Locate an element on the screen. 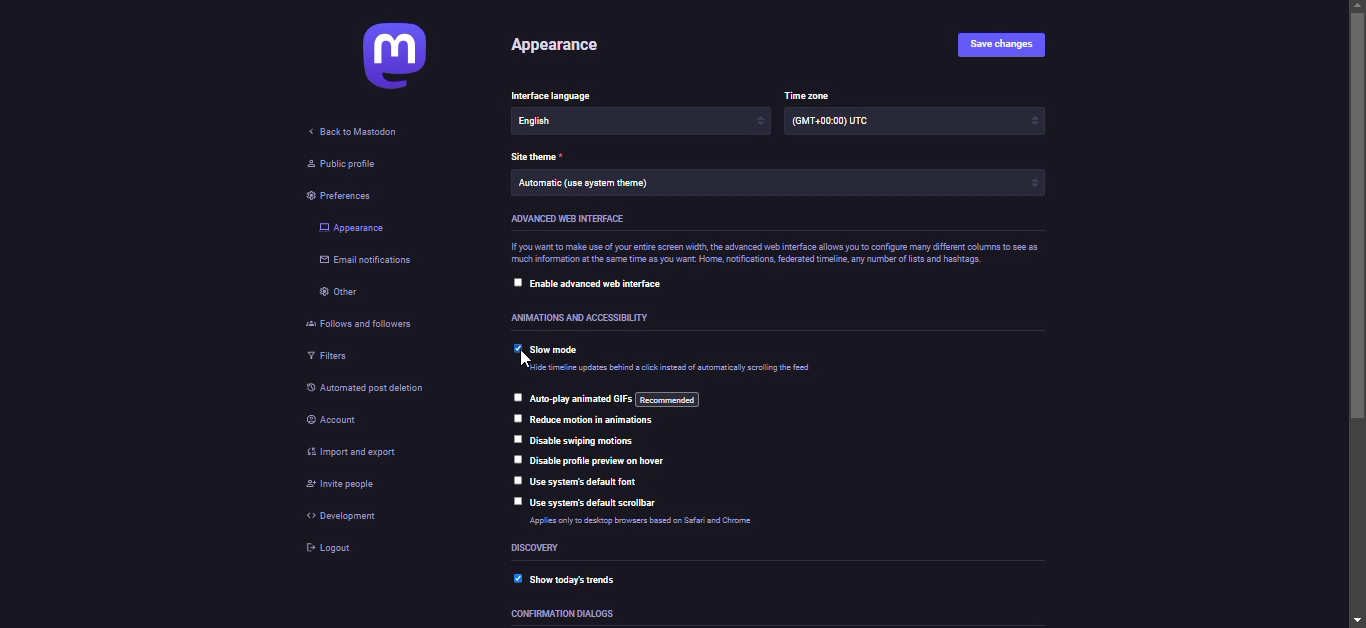  follows and followers is located at coordinates (360, 325).